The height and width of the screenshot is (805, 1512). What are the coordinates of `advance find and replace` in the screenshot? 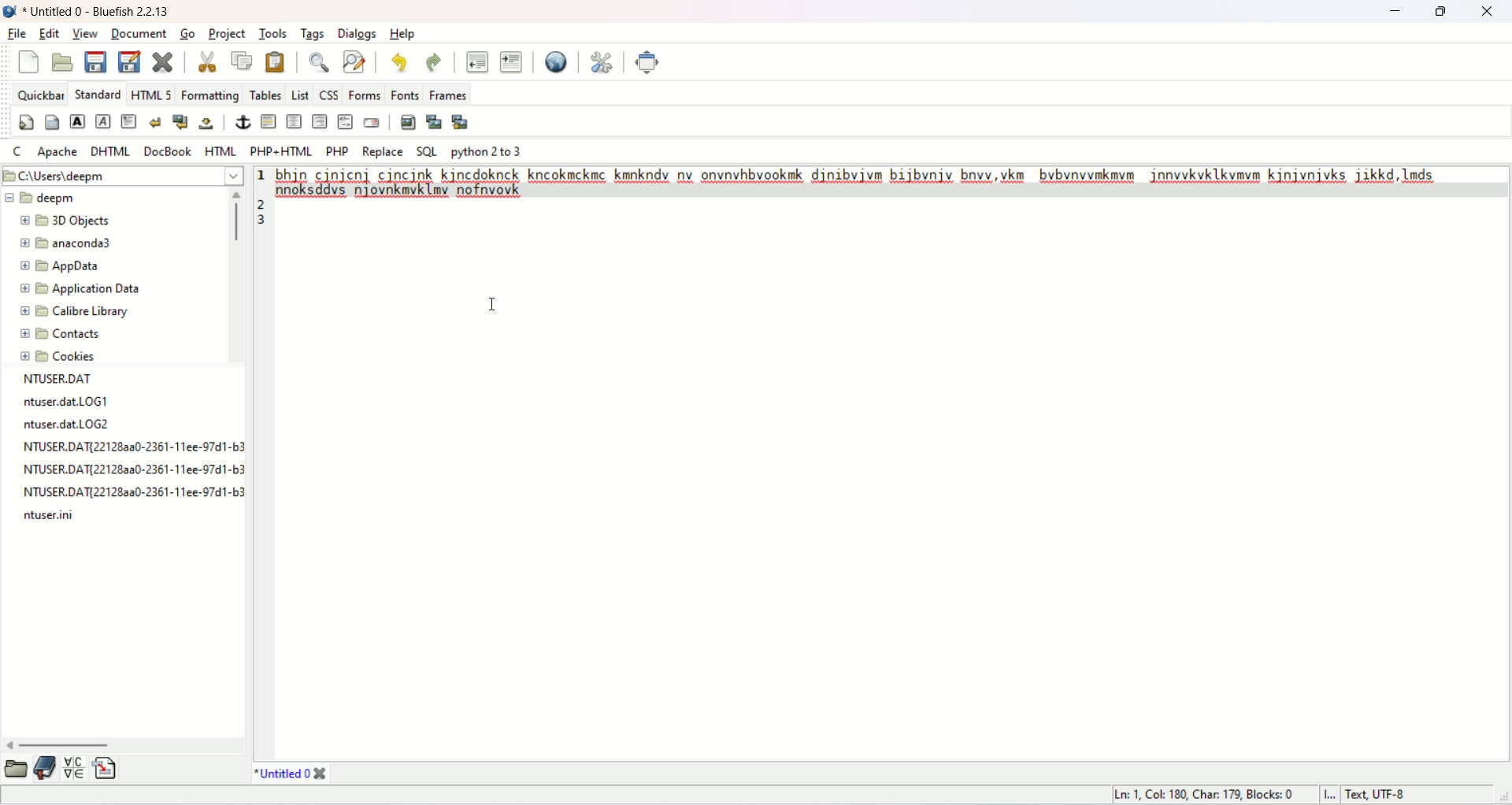 It's located at (355, 64).